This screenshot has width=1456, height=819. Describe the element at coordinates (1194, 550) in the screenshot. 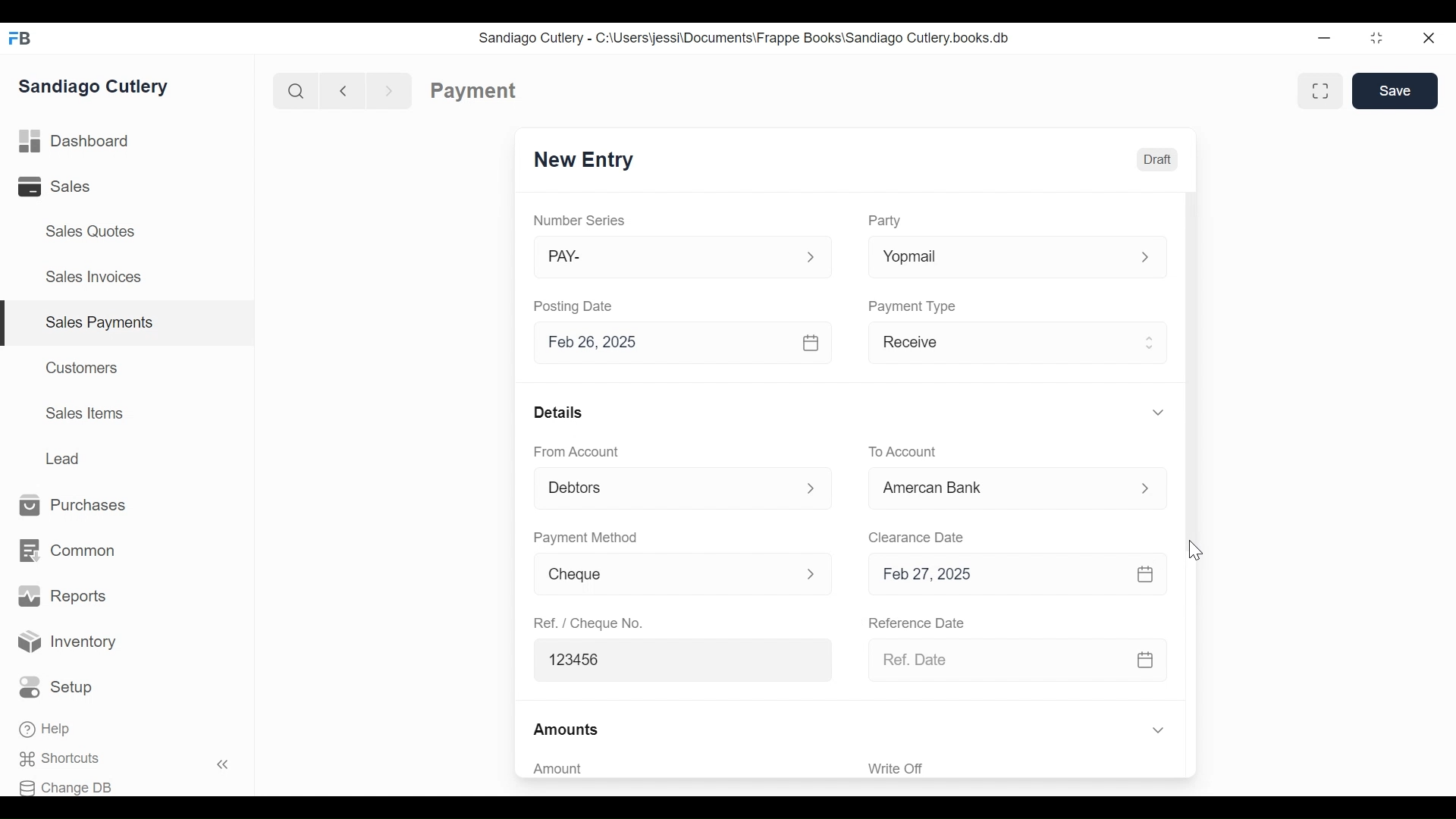

I see `cursor` at that location.